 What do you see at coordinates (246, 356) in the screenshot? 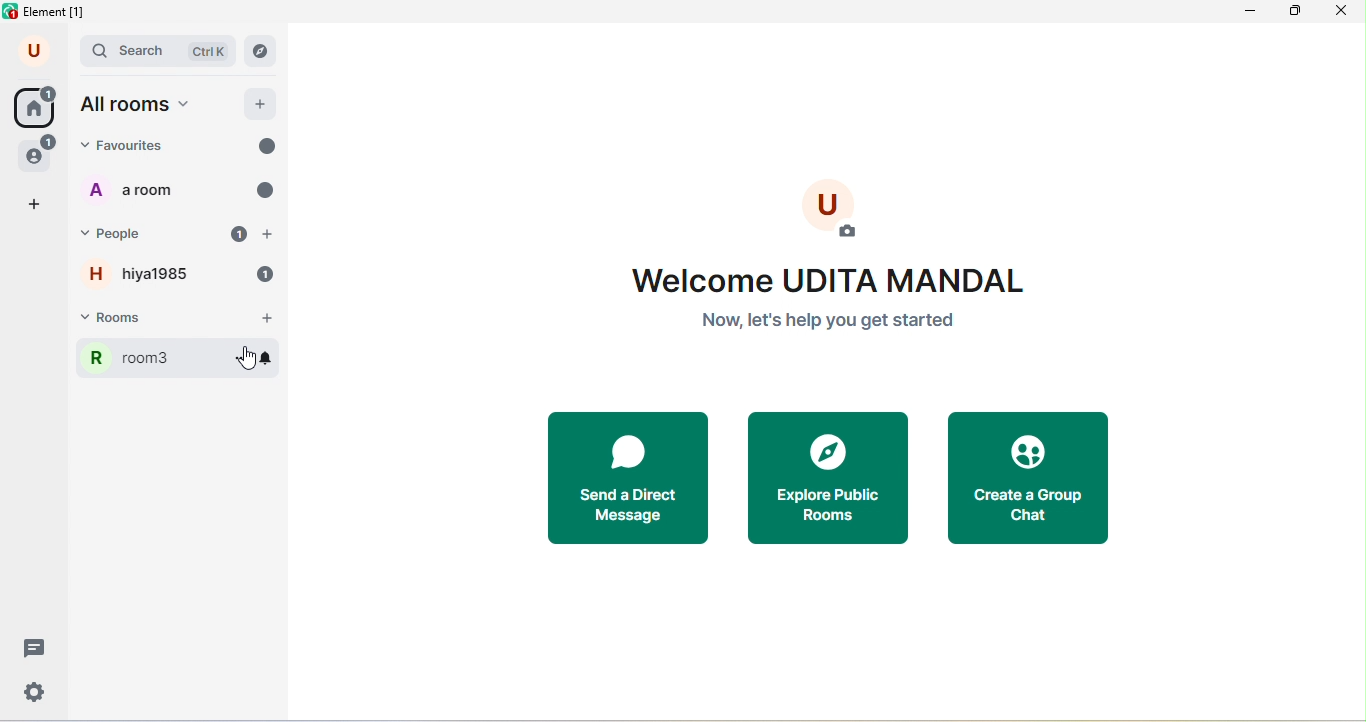
I see `cursor` at bounding box center [246, 356].